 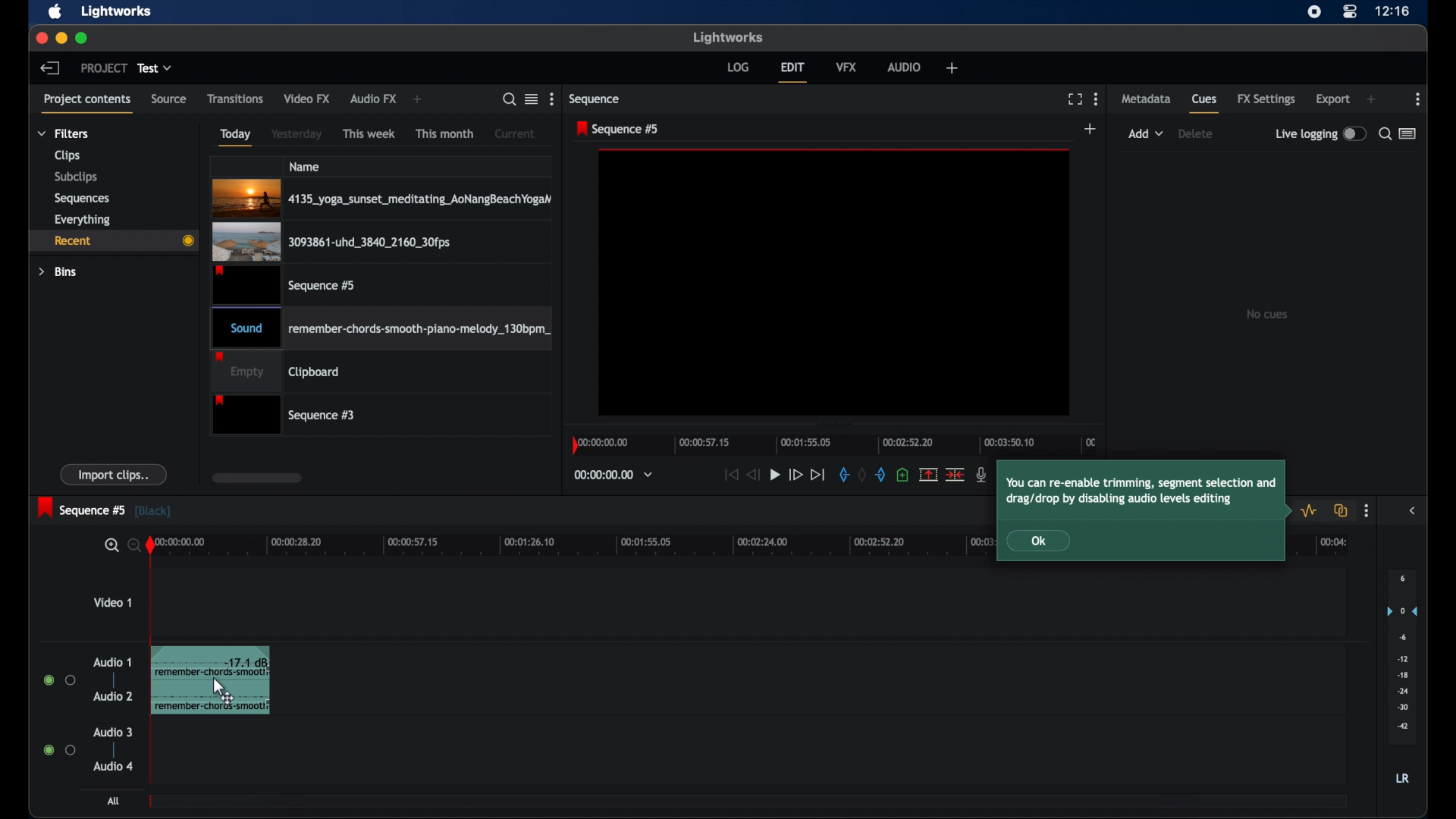 I want to click on sequence, so click(x=597, y=99).